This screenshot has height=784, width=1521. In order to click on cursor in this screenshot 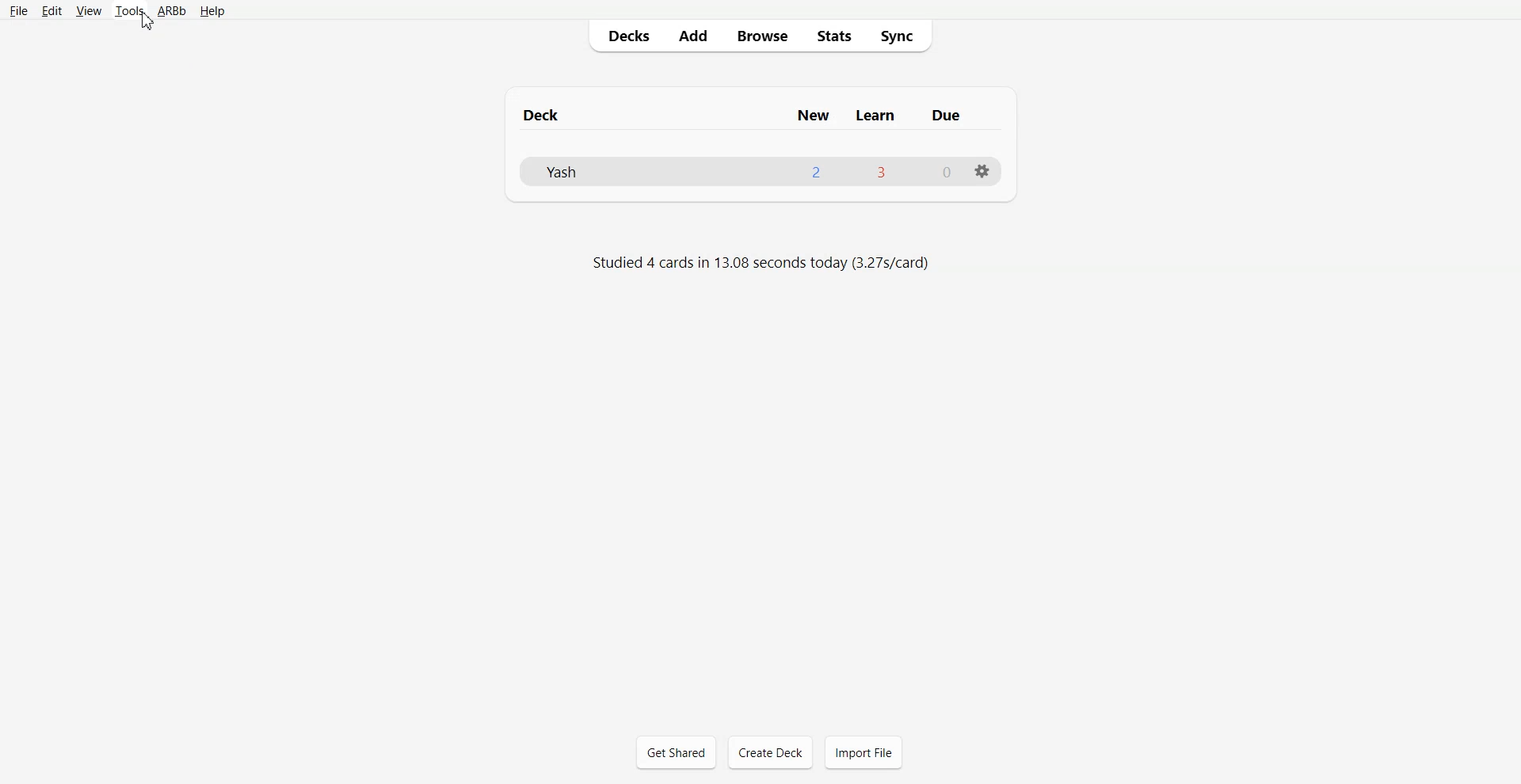, I will do `click(149, 24)`.